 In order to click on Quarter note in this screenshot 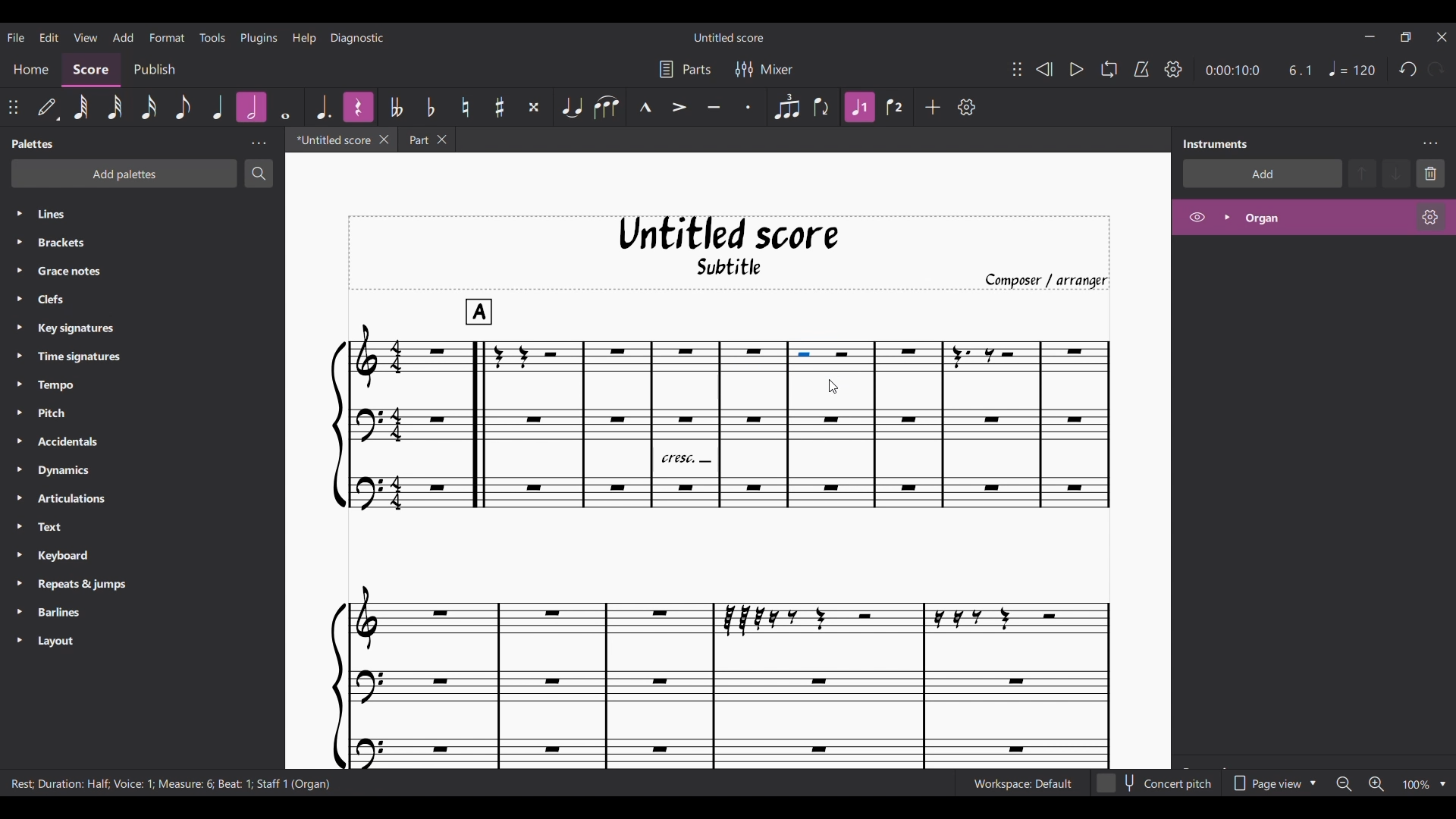, I will do `click(217, 108)`.